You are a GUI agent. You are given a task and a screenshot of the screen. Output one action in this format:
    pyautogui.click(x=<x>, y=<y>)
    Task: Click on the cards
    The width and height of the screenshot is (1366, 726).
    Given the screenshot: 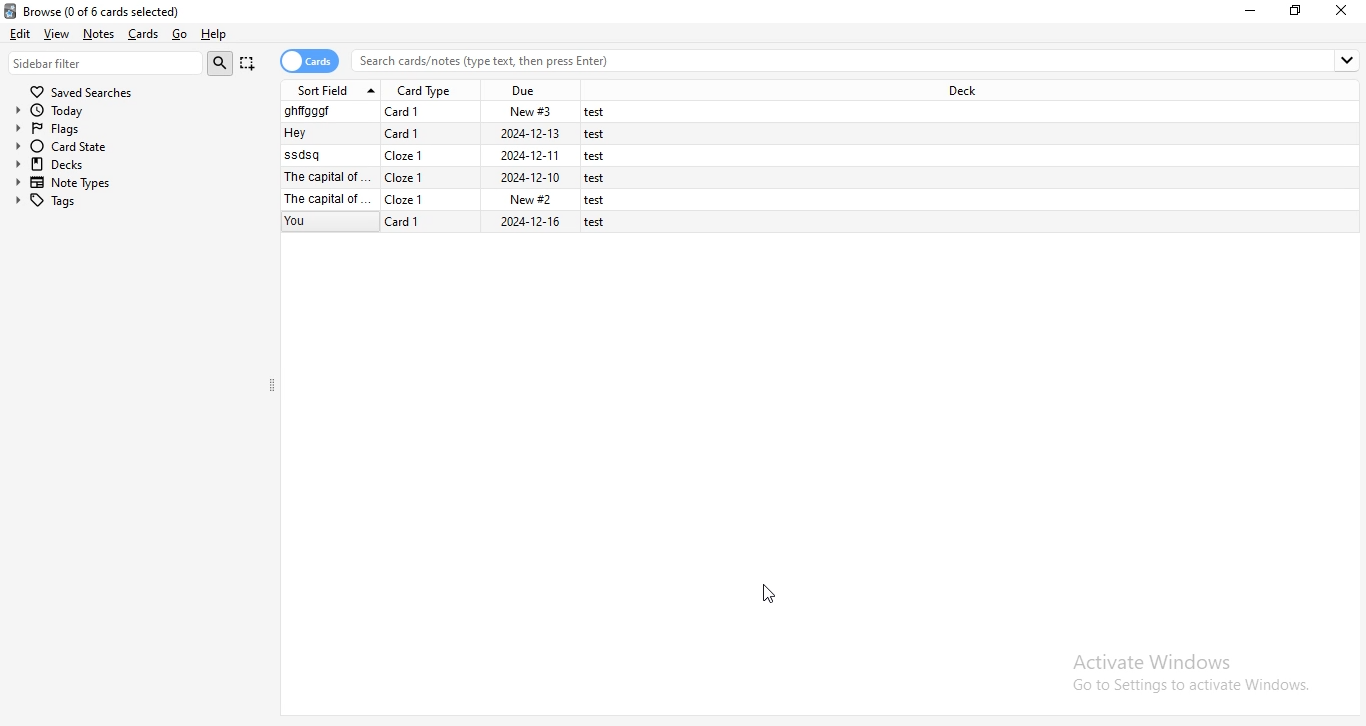 What is the action you would take?
    pyautogui.click(x=311, y=61)
    